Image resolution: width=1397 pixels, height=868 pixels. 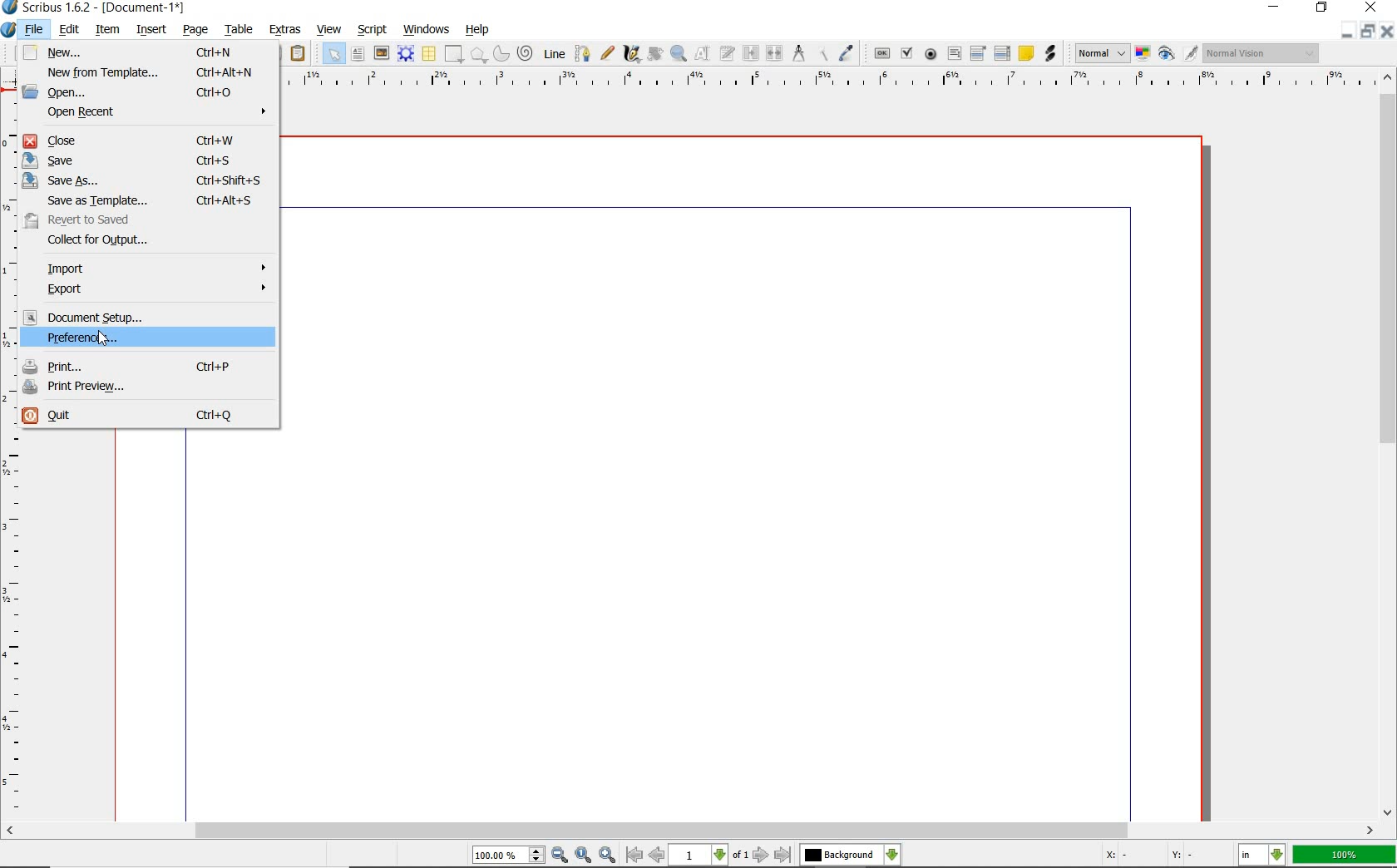 What do you see at coordinates (1001, 53) in the screenshot?
I see `pdf list box` at bounding box center [1001, 53].